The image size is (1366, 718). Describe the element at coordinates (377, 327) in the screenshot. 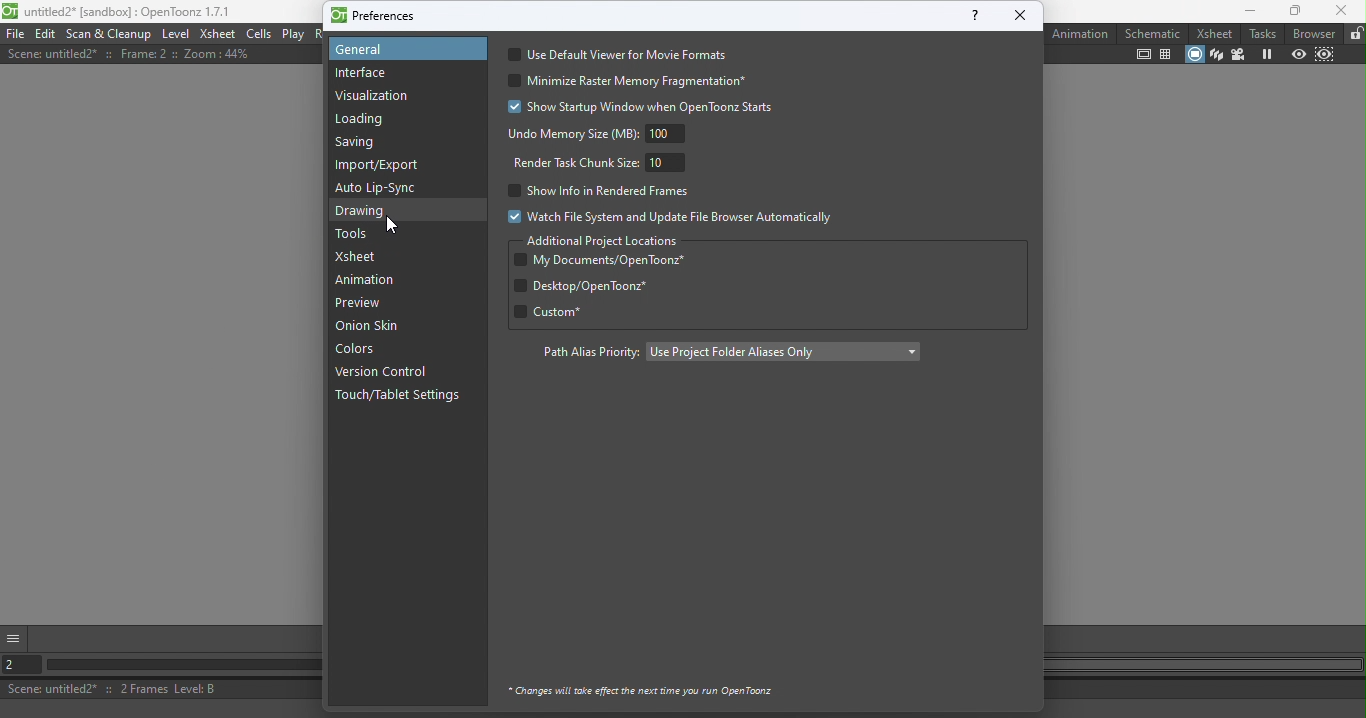

I see `Onion skin` at that location.